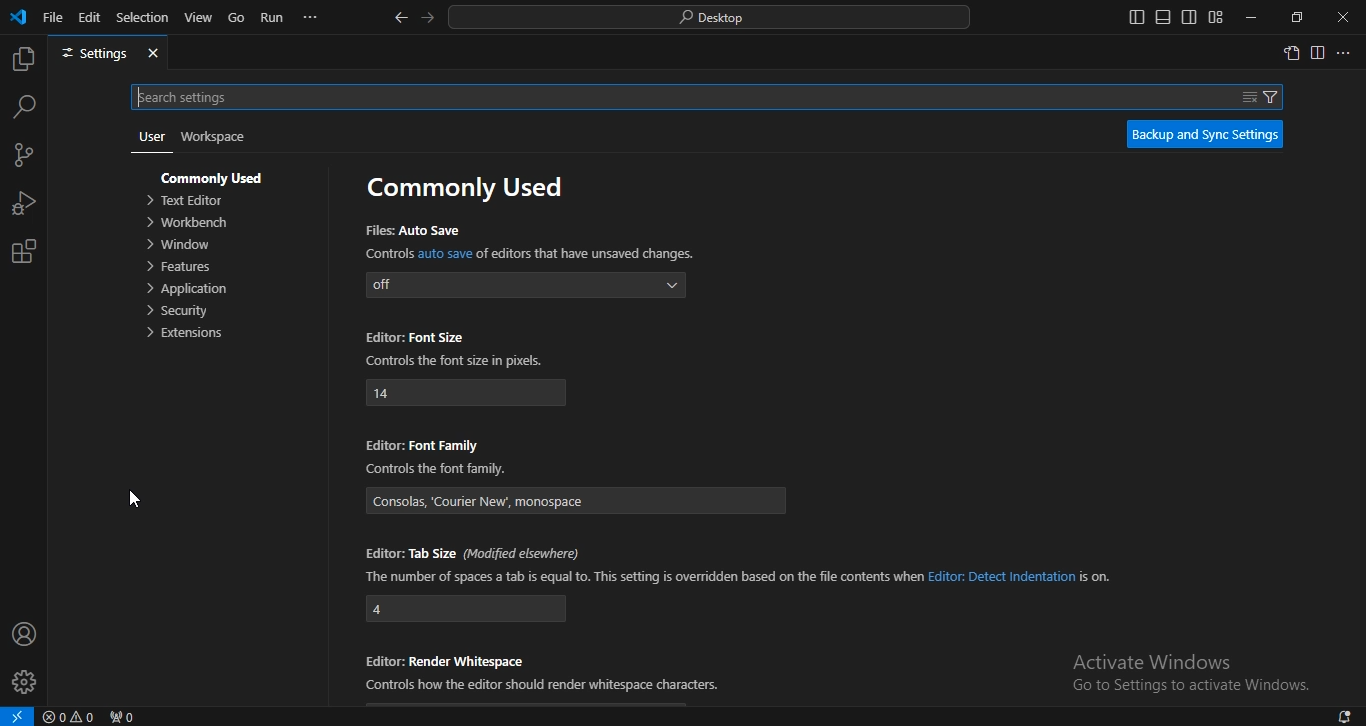  I want to click on Open a remote window, so click(18, 715).